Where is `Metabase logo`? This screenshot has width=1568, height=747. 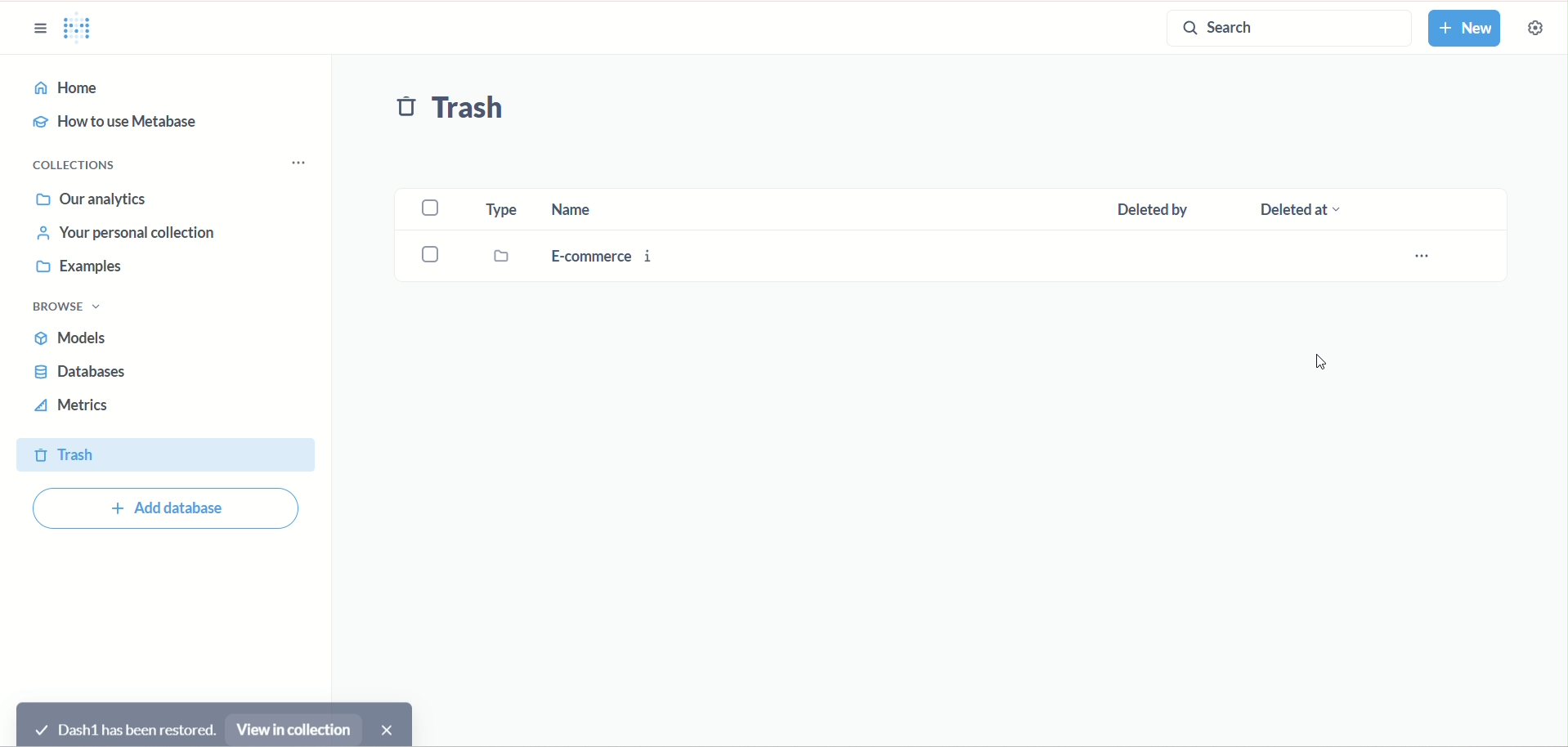 Metabase logo is located at coordinates (83, 30).